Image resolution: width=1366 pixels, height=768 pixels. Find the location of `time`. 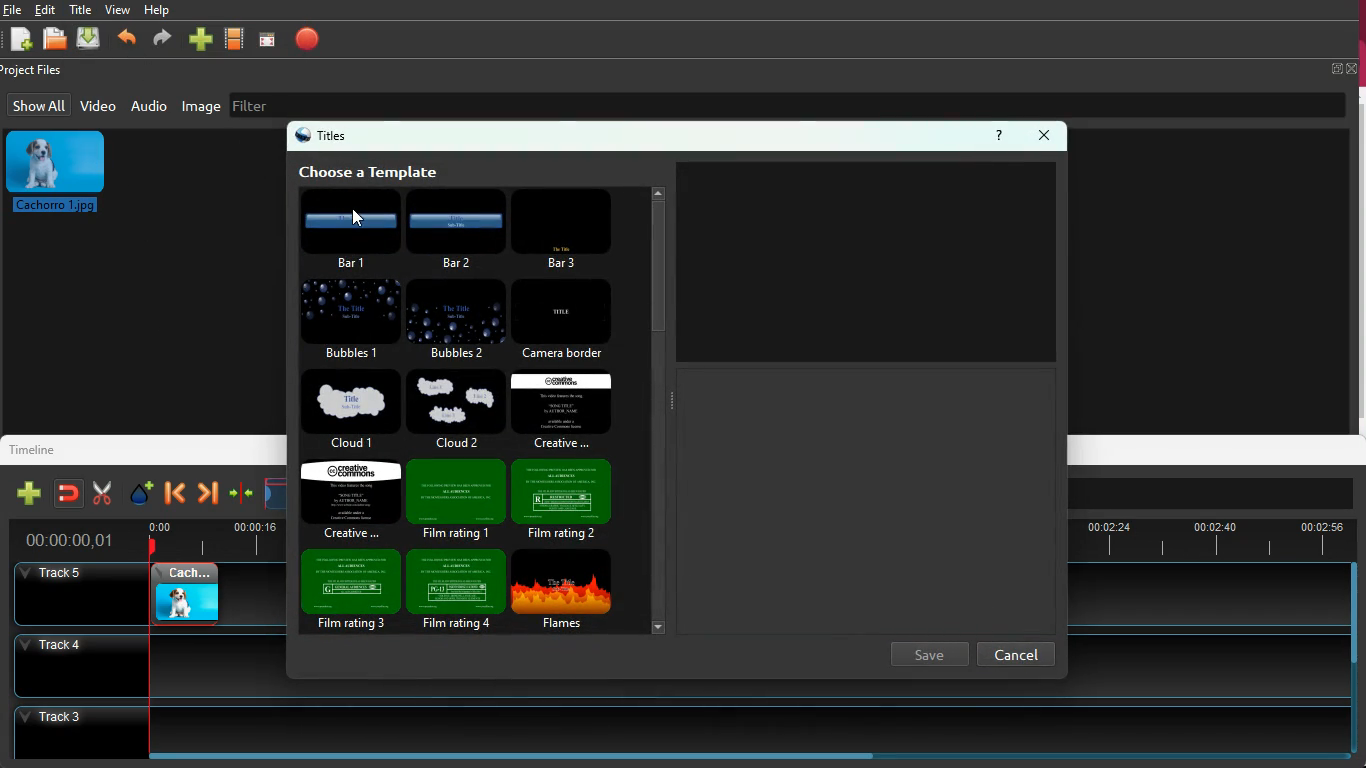

time is located at coordinates (214, 537).